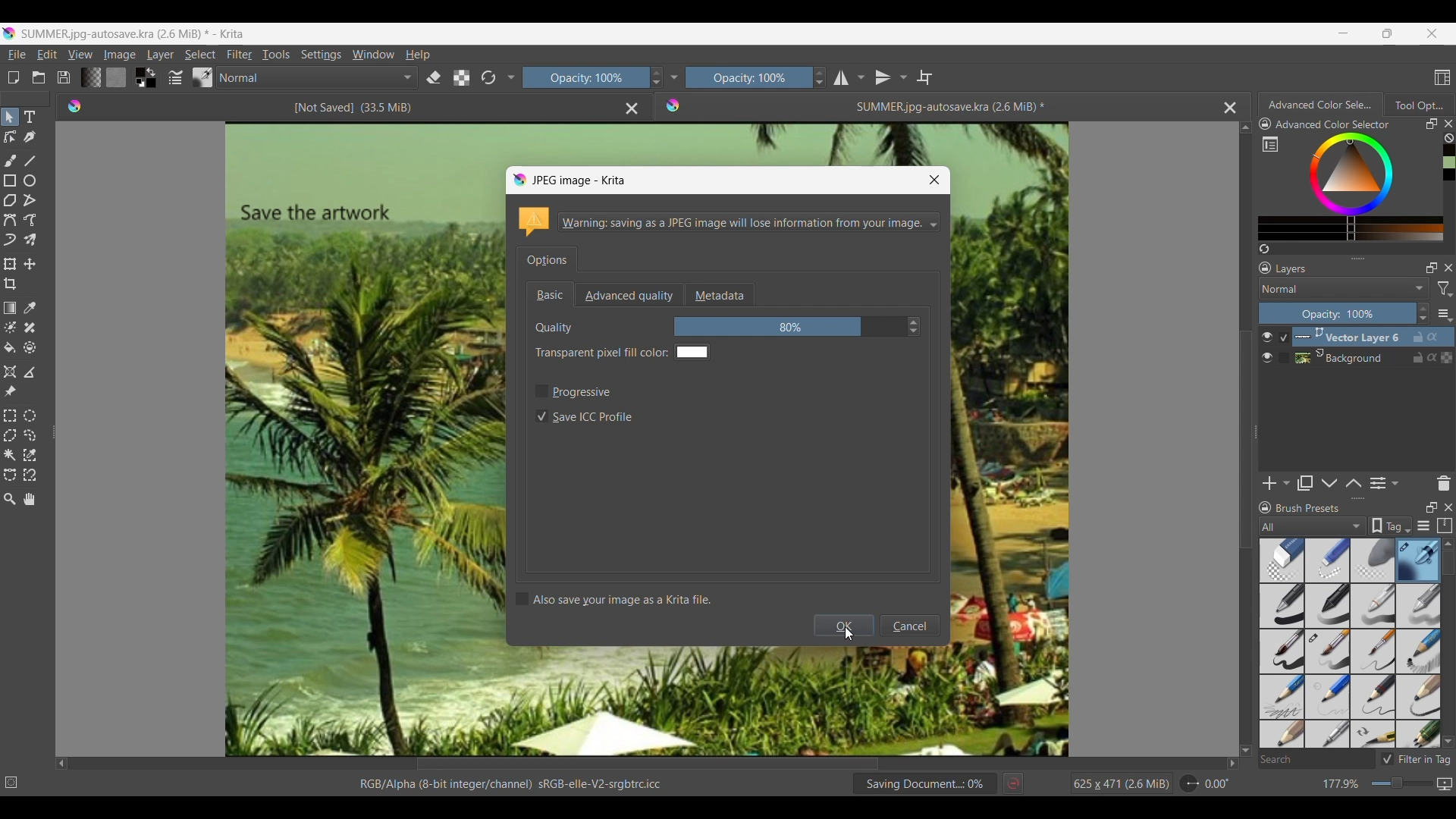 Image resolution: width=1456 pixels, height=819 pixels. I want to click on Reference images tool, so click(10, 391).